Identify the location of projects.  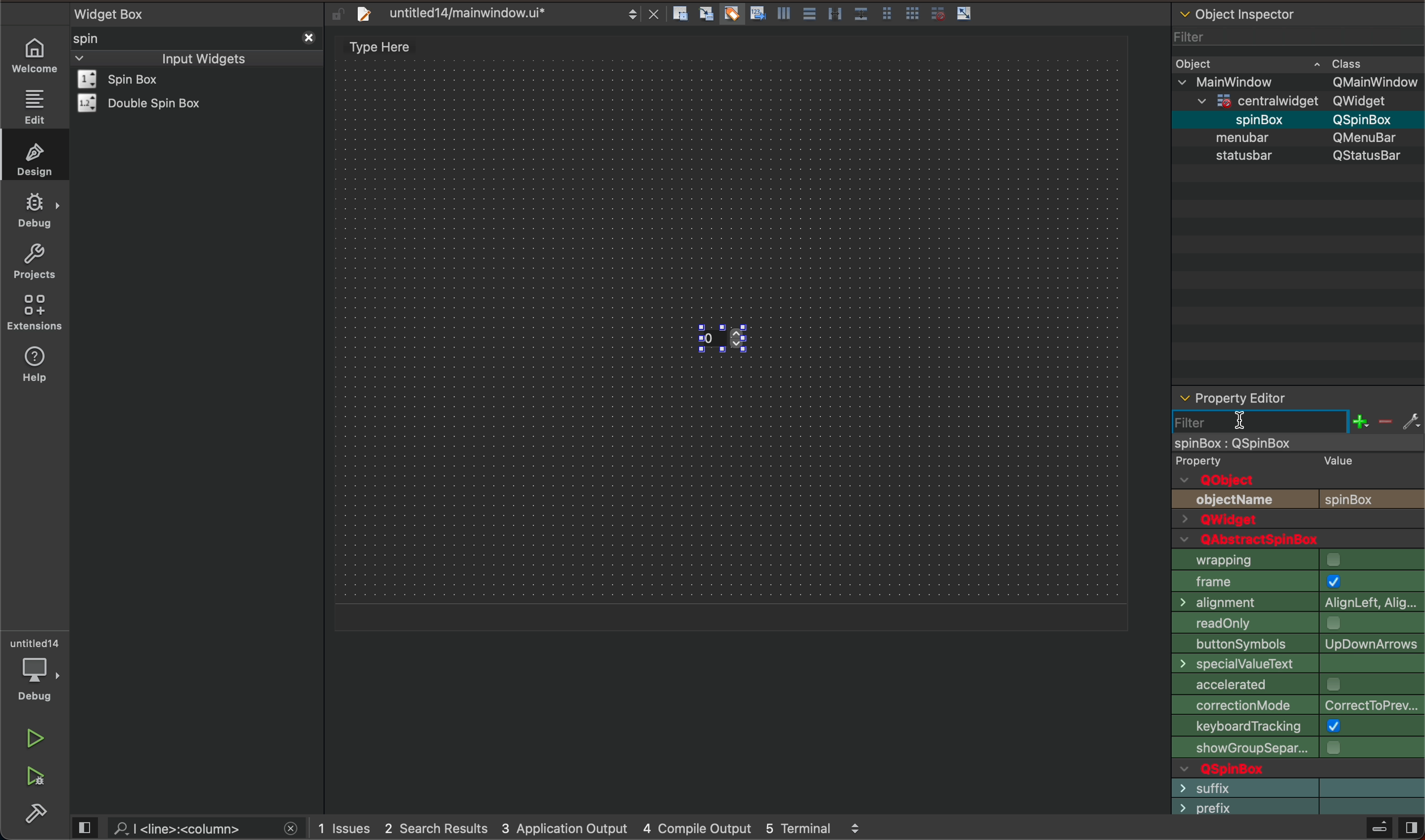
(33, 261).